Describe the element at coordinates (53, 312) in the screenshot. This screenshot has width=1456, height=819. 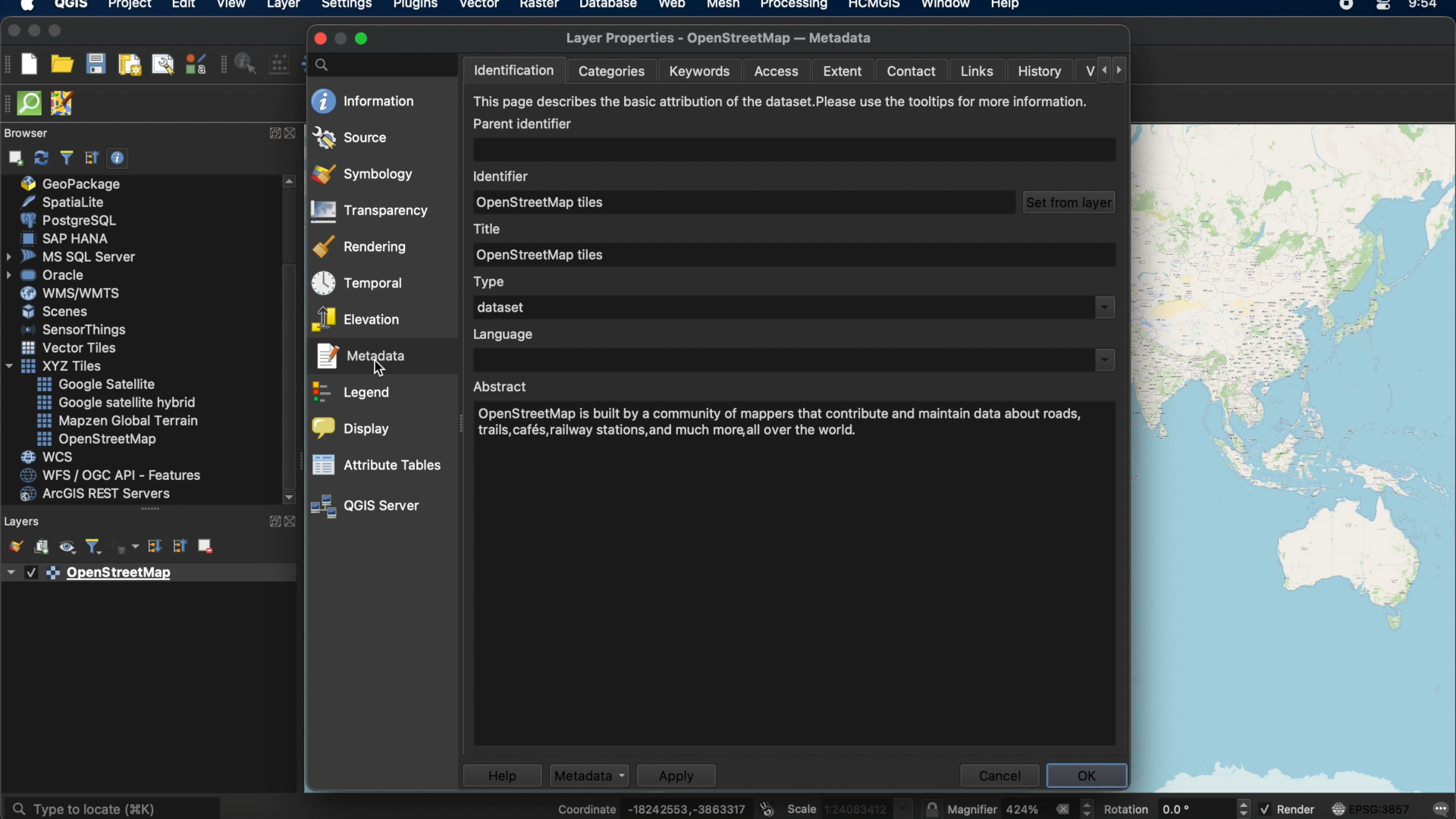
I see `scenes` at that location.